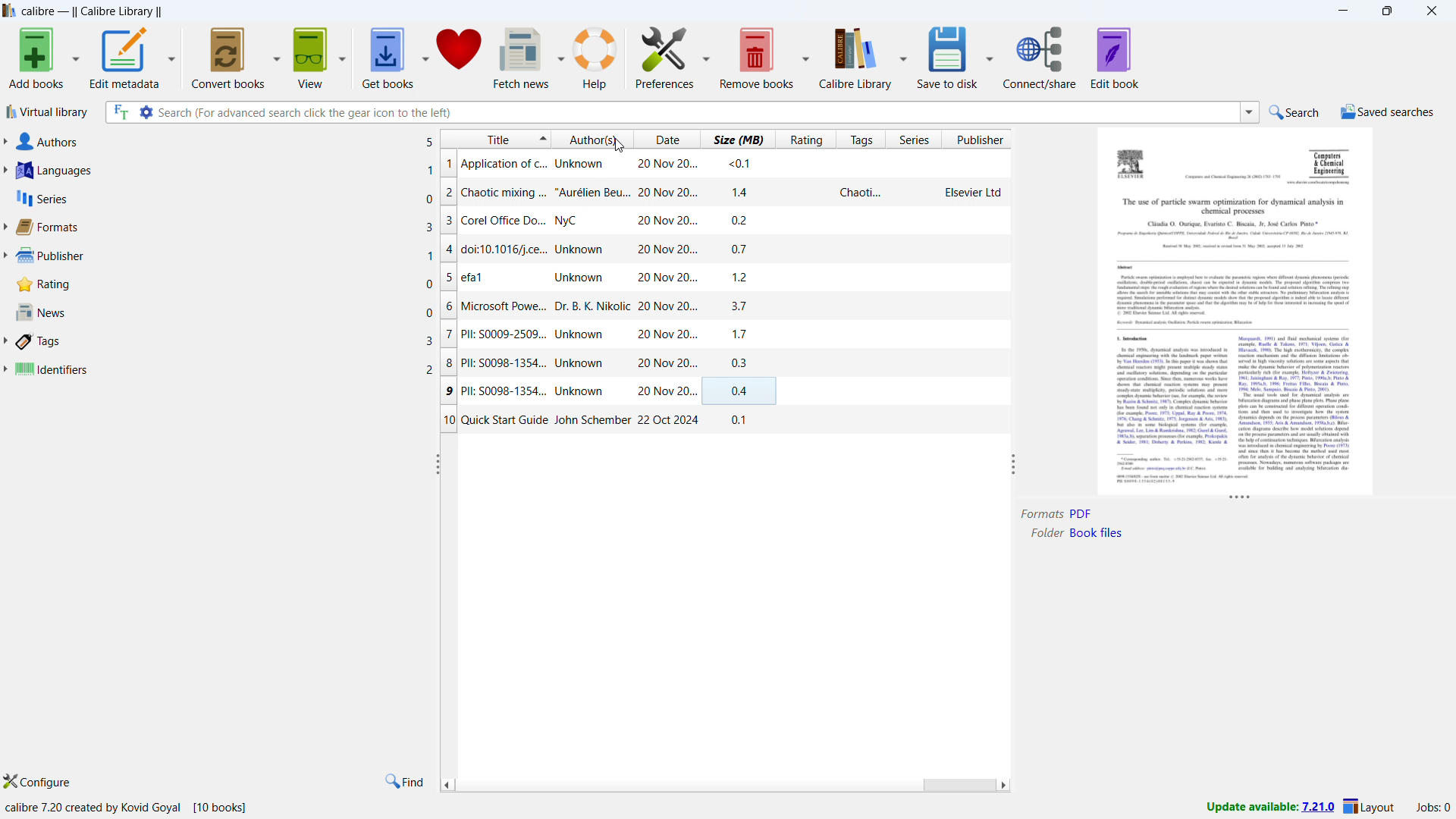 The width and height of the screenshot is (1456, 819). Describe the element at coordinates (447, 224) in the screenshot. I see `3` at that location.